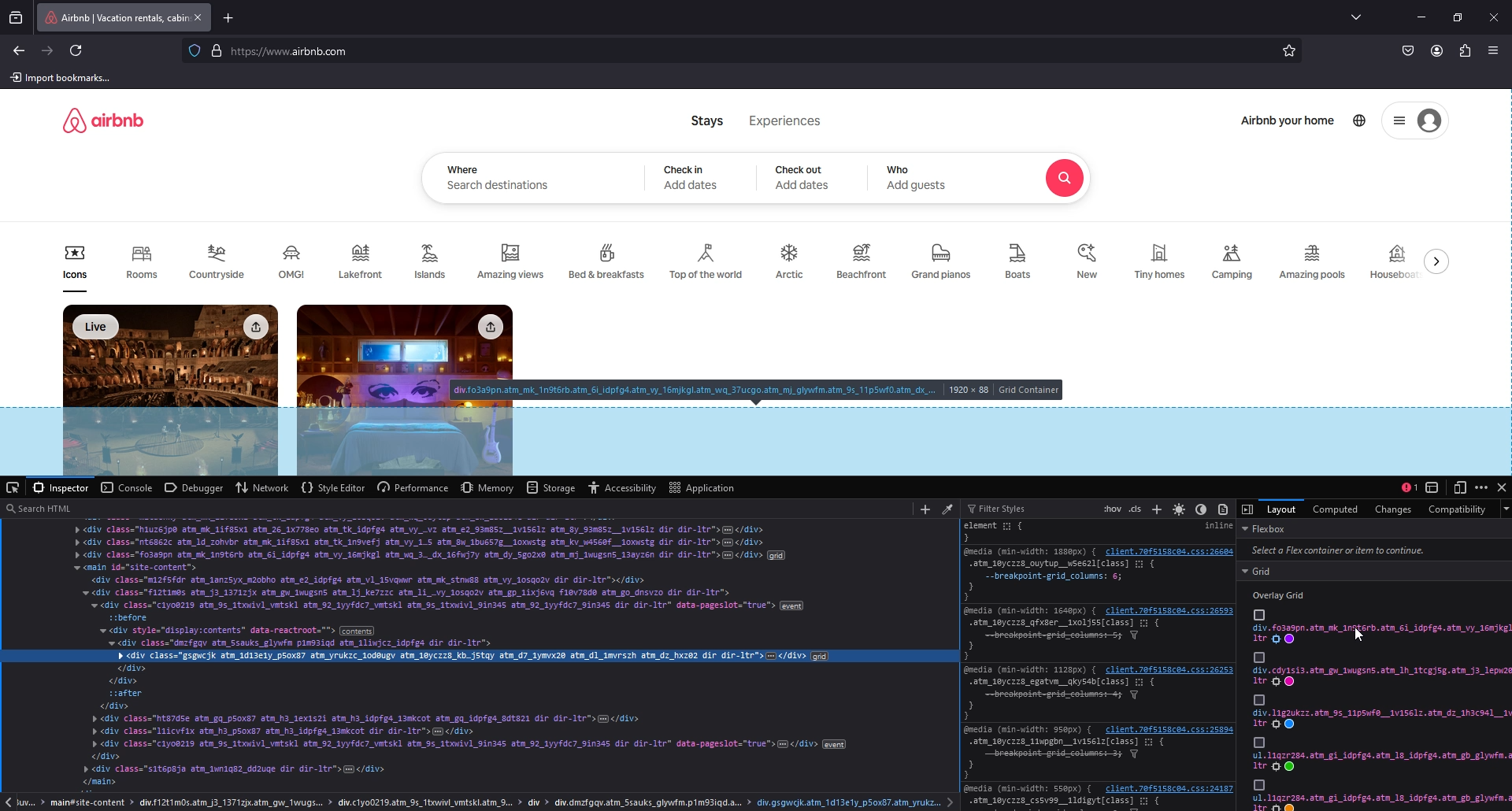  What do you see at coordinates (1028, 789) in the screenshot?
I see `media query ` at bounding box center [1028, 789].